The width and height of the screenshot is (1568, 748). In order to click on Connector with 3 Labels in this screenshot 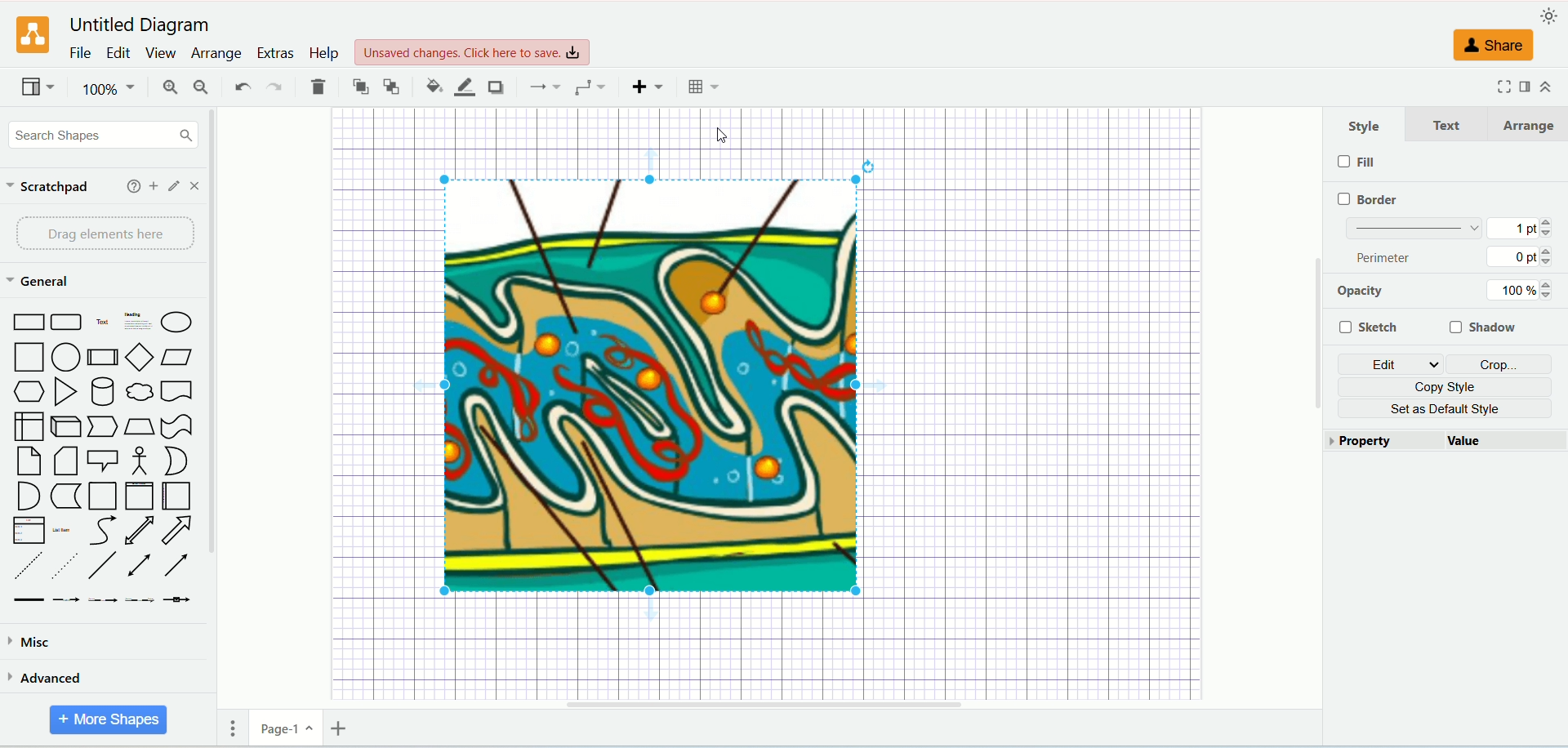, I will do `click(141, 601)`.